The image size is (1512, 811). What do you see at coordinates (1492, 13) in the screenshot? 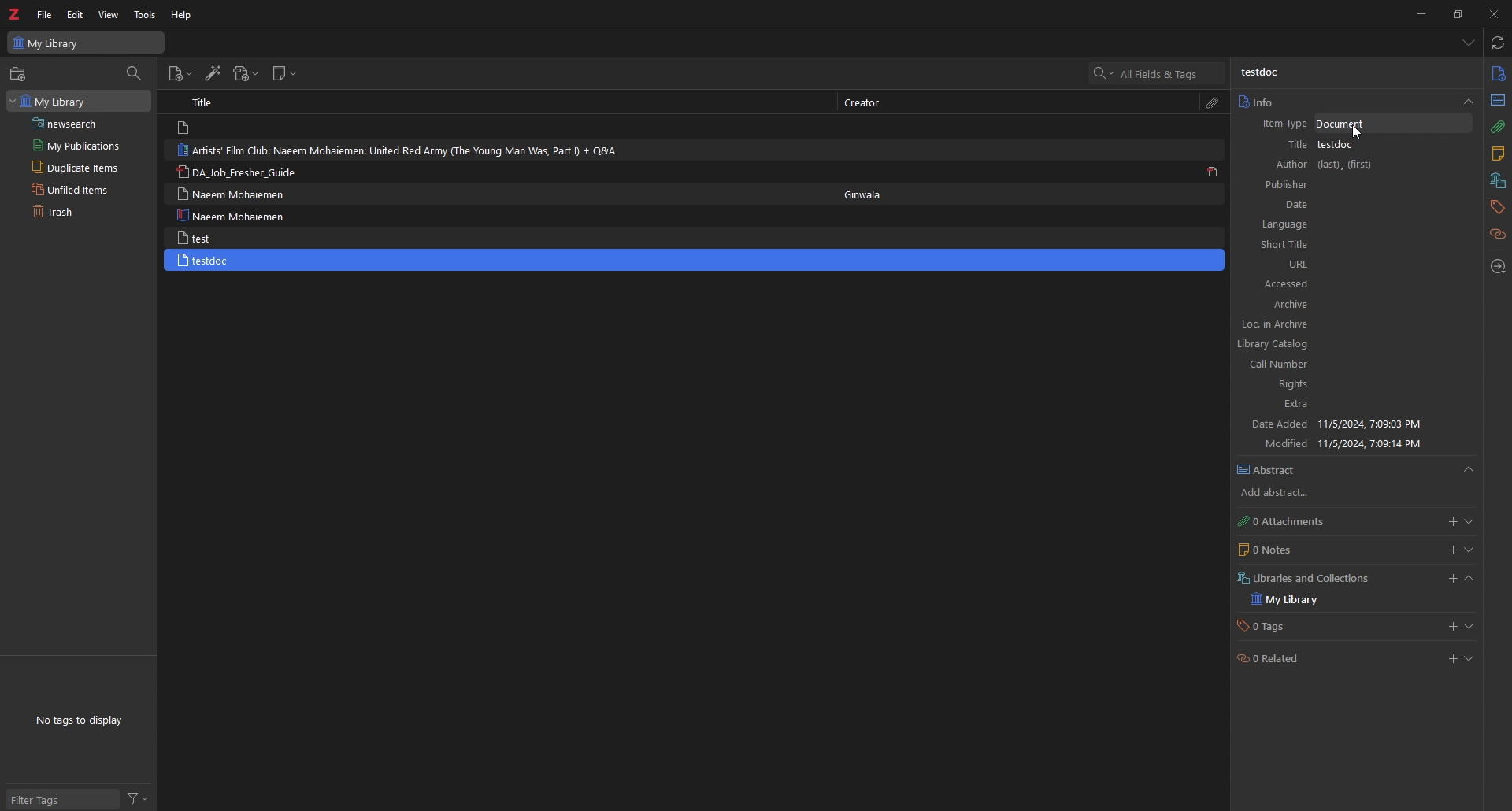
I see `close` at bounding box center [1492, 13].